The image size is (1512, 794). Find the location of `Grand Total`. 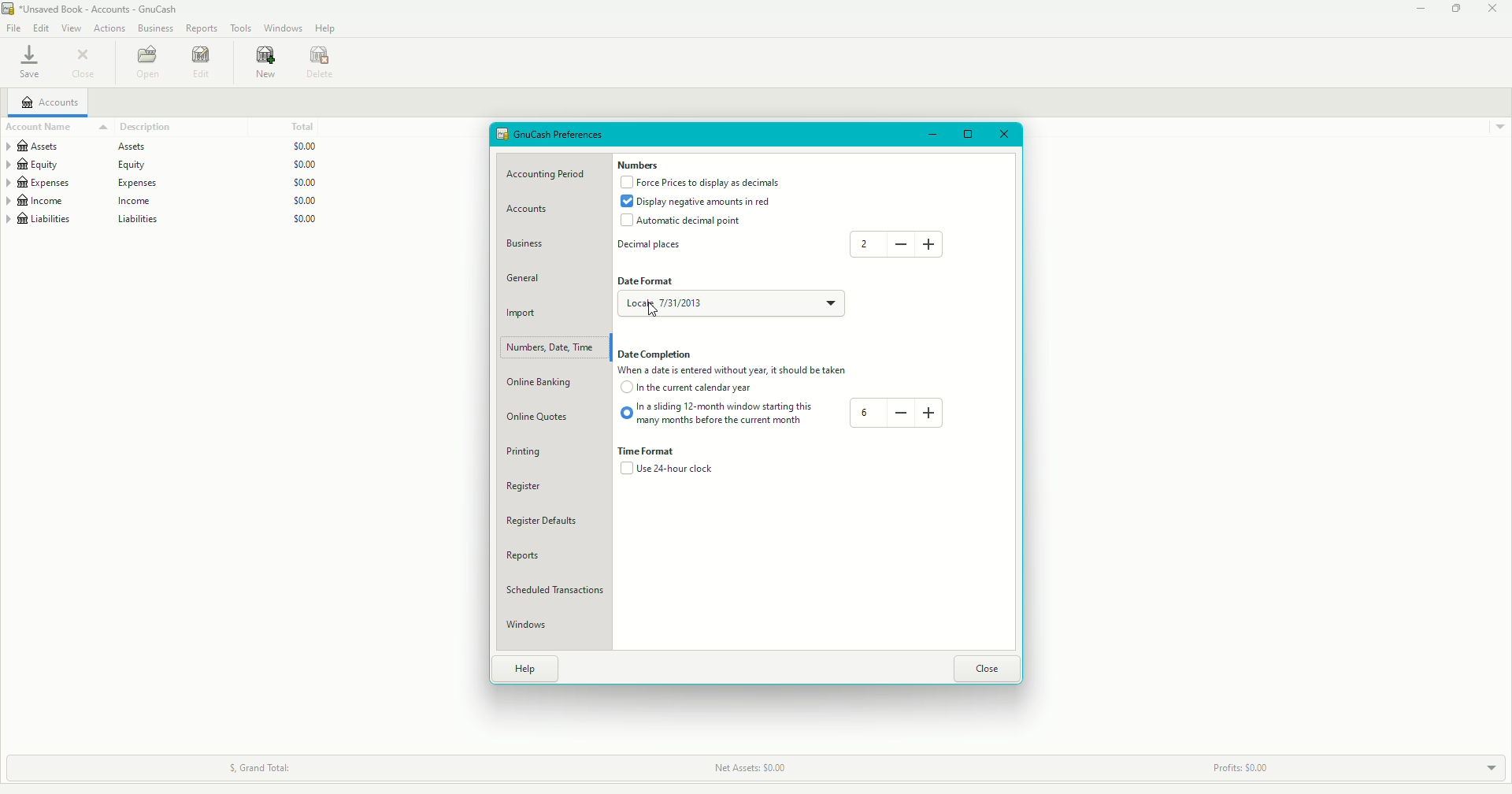

Grand Total is located at coordinates (265, 765).